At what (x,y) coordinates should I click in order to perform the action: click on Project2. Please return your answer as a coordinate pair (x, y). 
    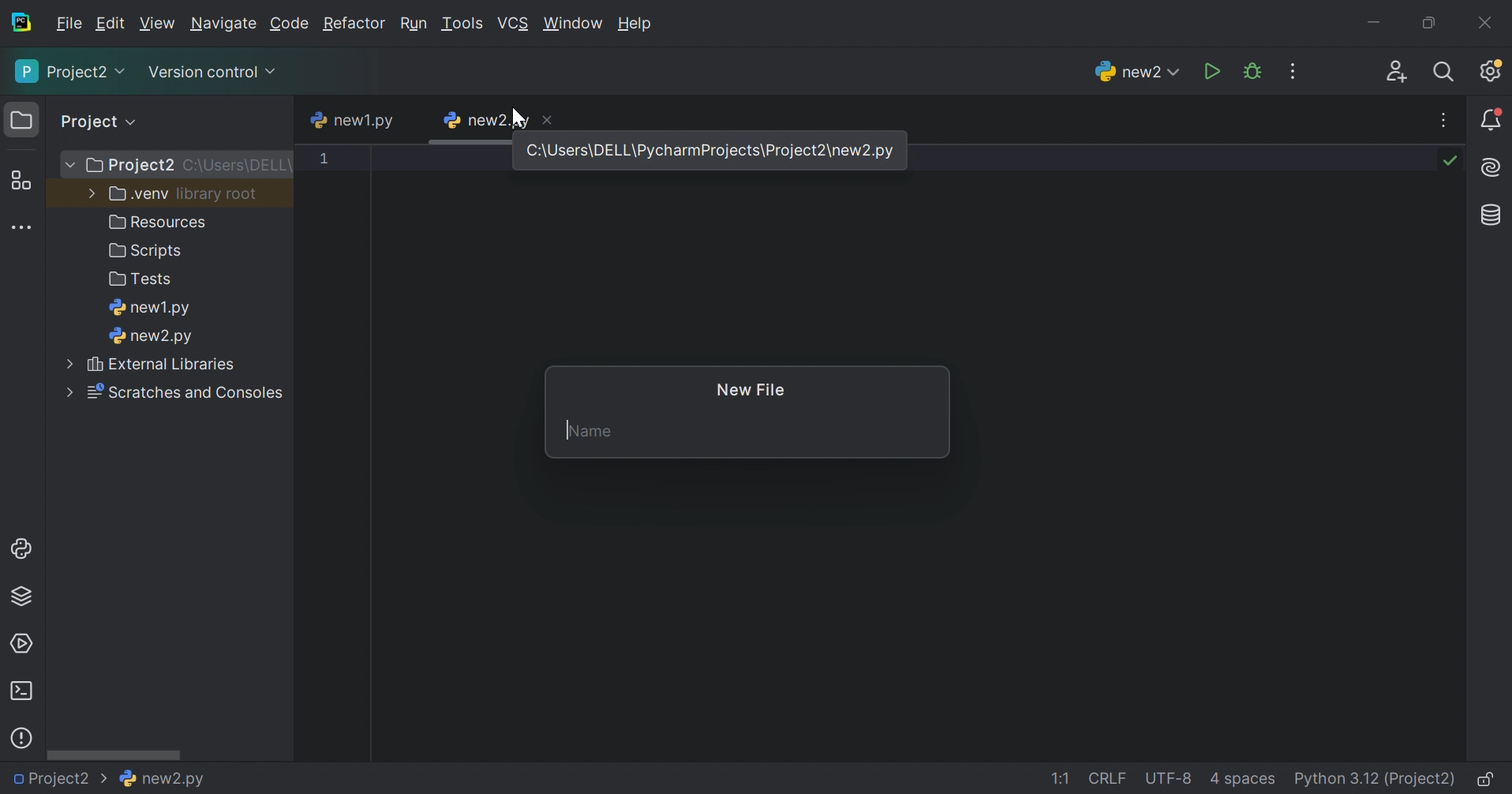
    Looking at the image, I should click on (128, 167).